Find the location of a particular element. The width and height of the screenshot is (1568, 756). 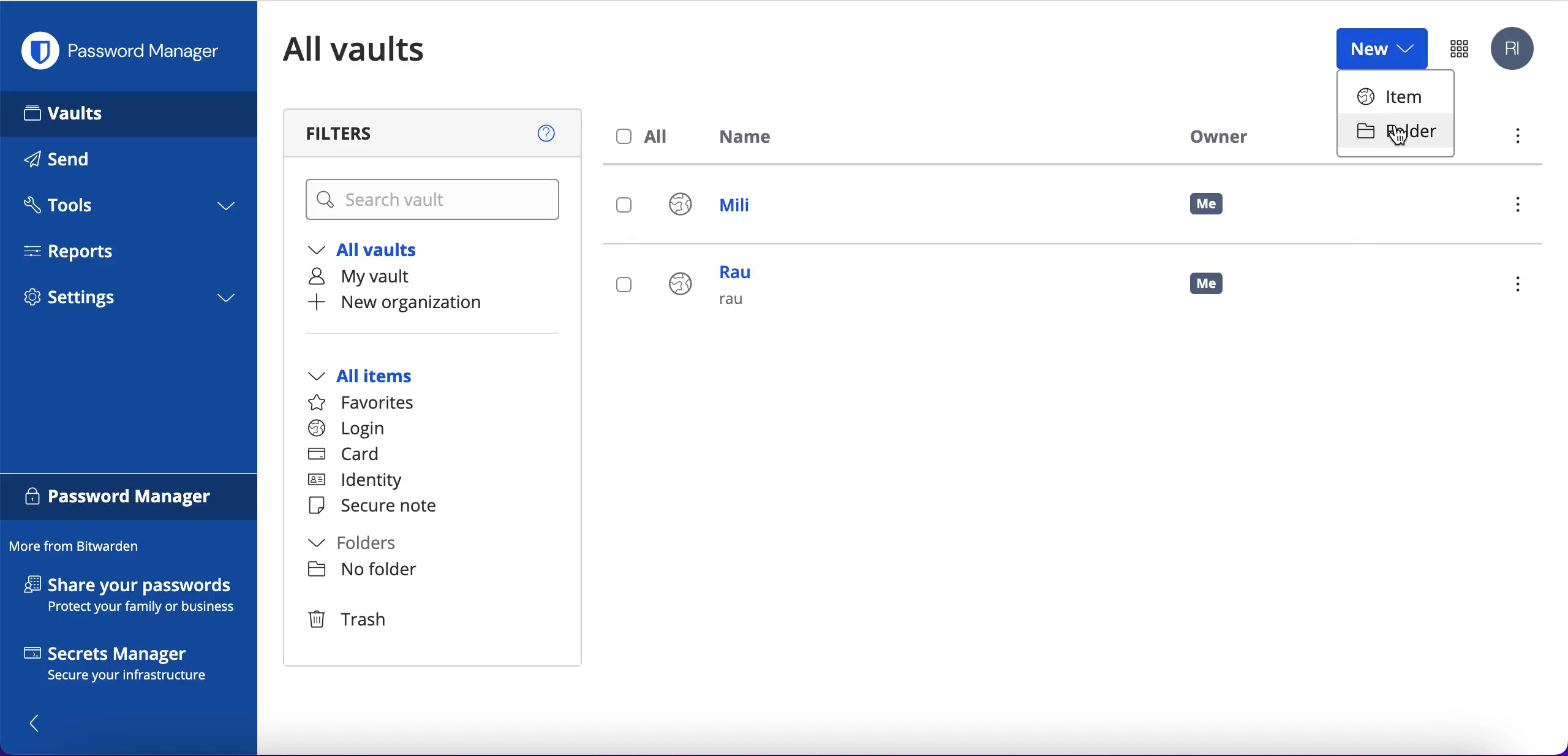

select login rau is located at coordinates (622, 285).